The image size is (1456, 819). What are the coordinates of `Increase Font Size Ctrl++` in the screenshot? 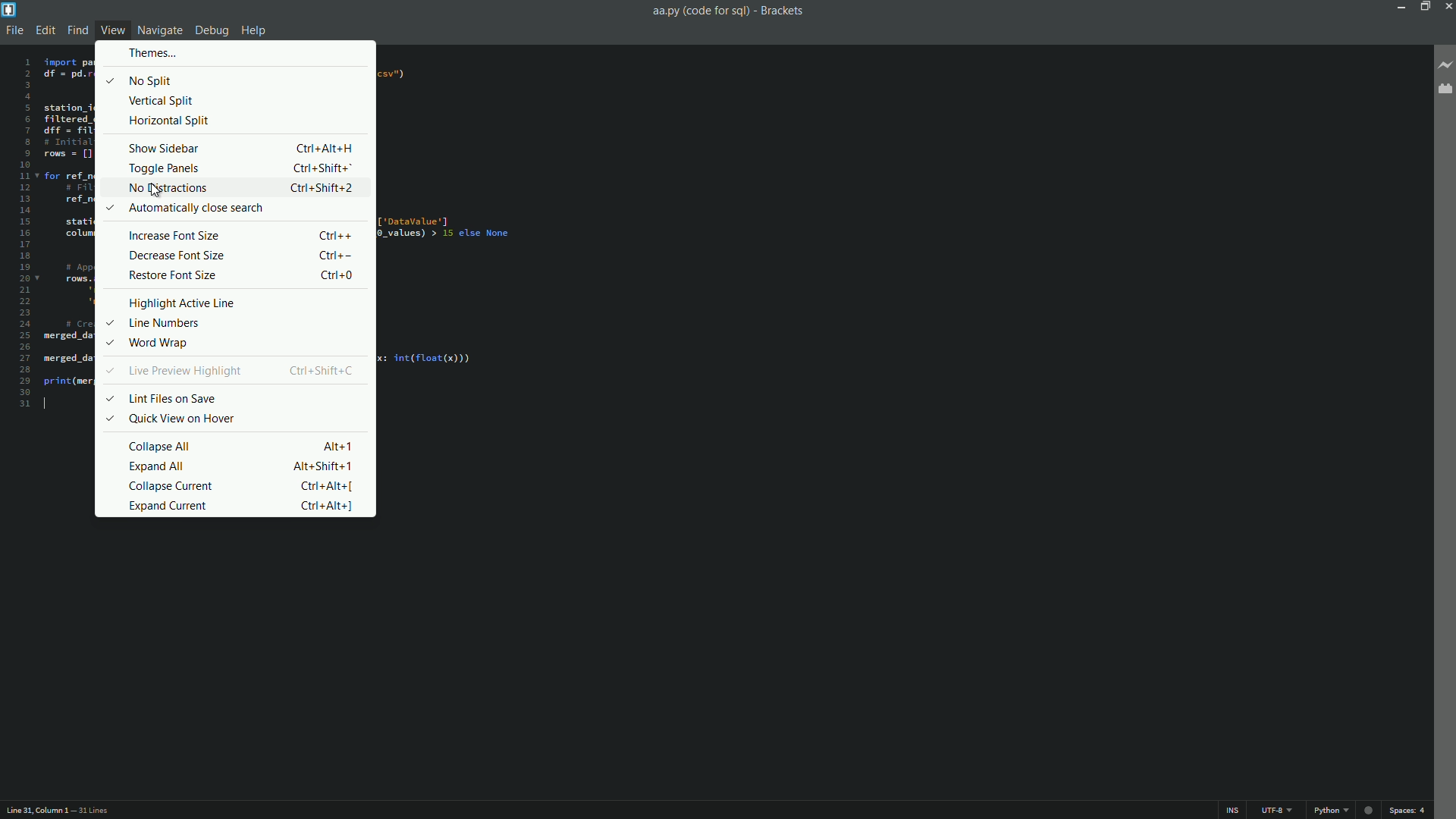 It's located at (243, 234).